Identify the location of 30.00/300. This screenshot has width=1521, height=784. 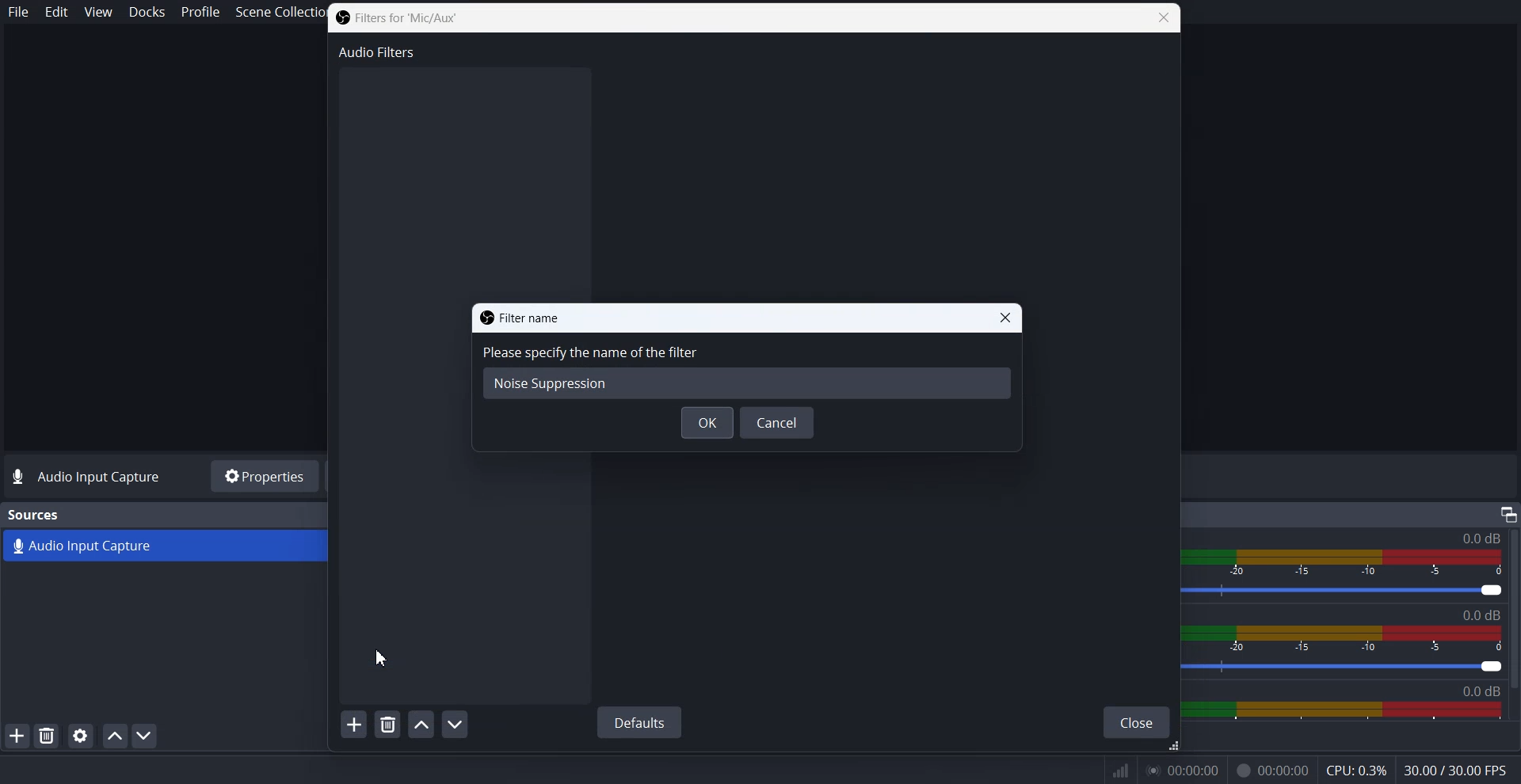
(1461, 771).